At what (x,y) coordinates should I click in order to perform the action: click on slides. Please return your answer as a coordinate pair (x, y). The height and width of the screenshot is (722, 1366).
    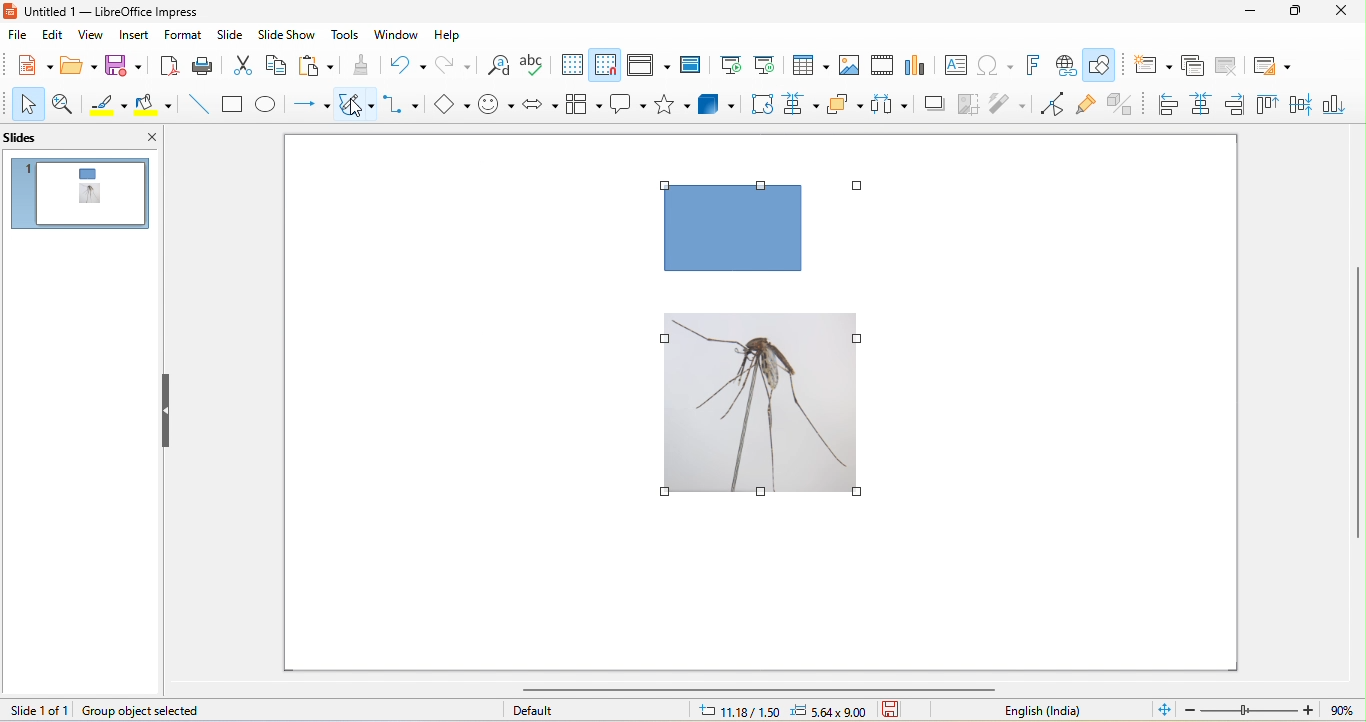
    Looking at the image, I should click on (41, 139).